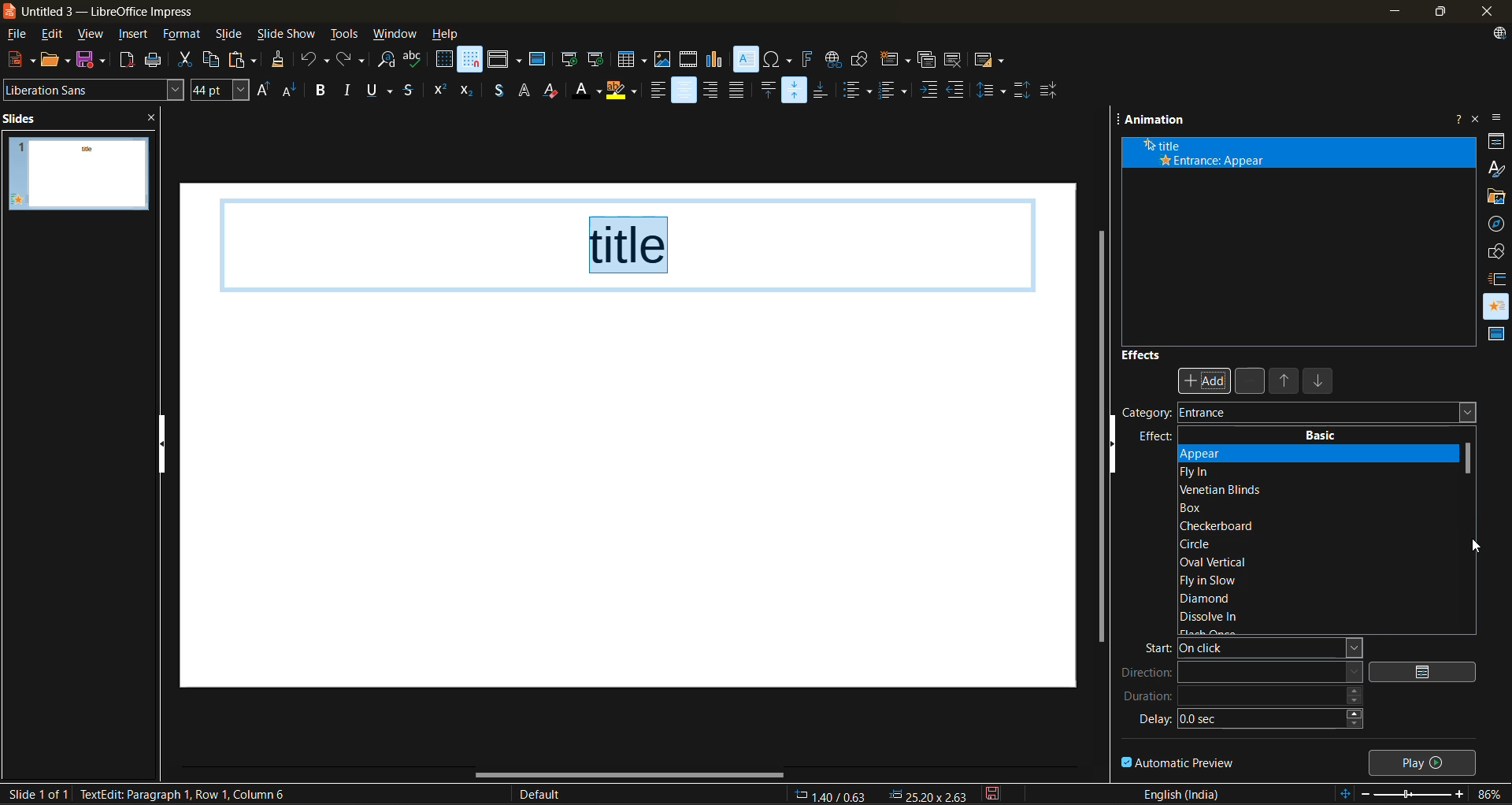 This screenshot has width=1512, height=805. What do you see at coordinates (1493, 335) in the screenshot?
I see `master slides` at bounding box center [1493, 335].